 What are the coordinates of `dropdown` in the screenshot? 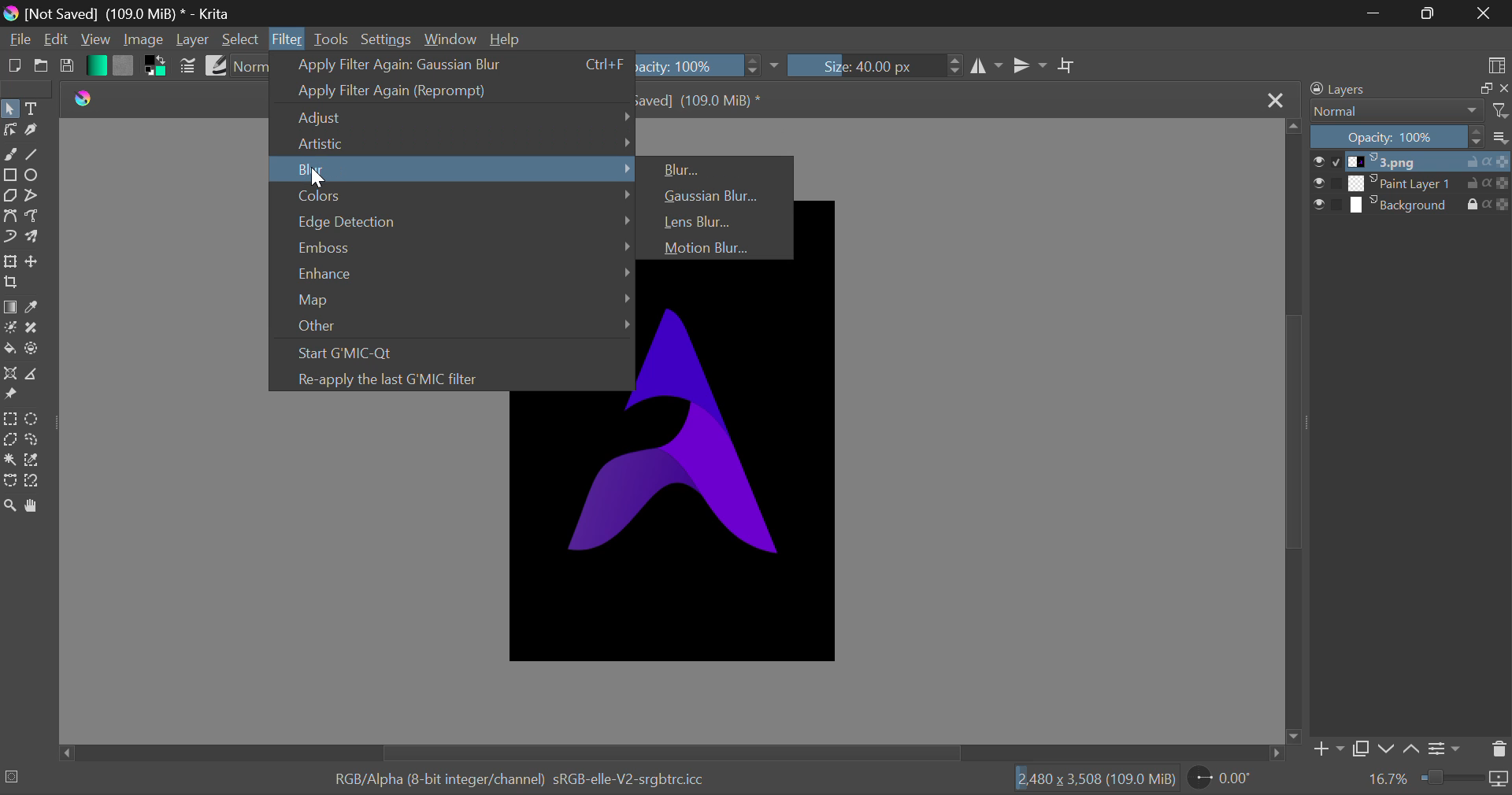 It's located at (778, 66).